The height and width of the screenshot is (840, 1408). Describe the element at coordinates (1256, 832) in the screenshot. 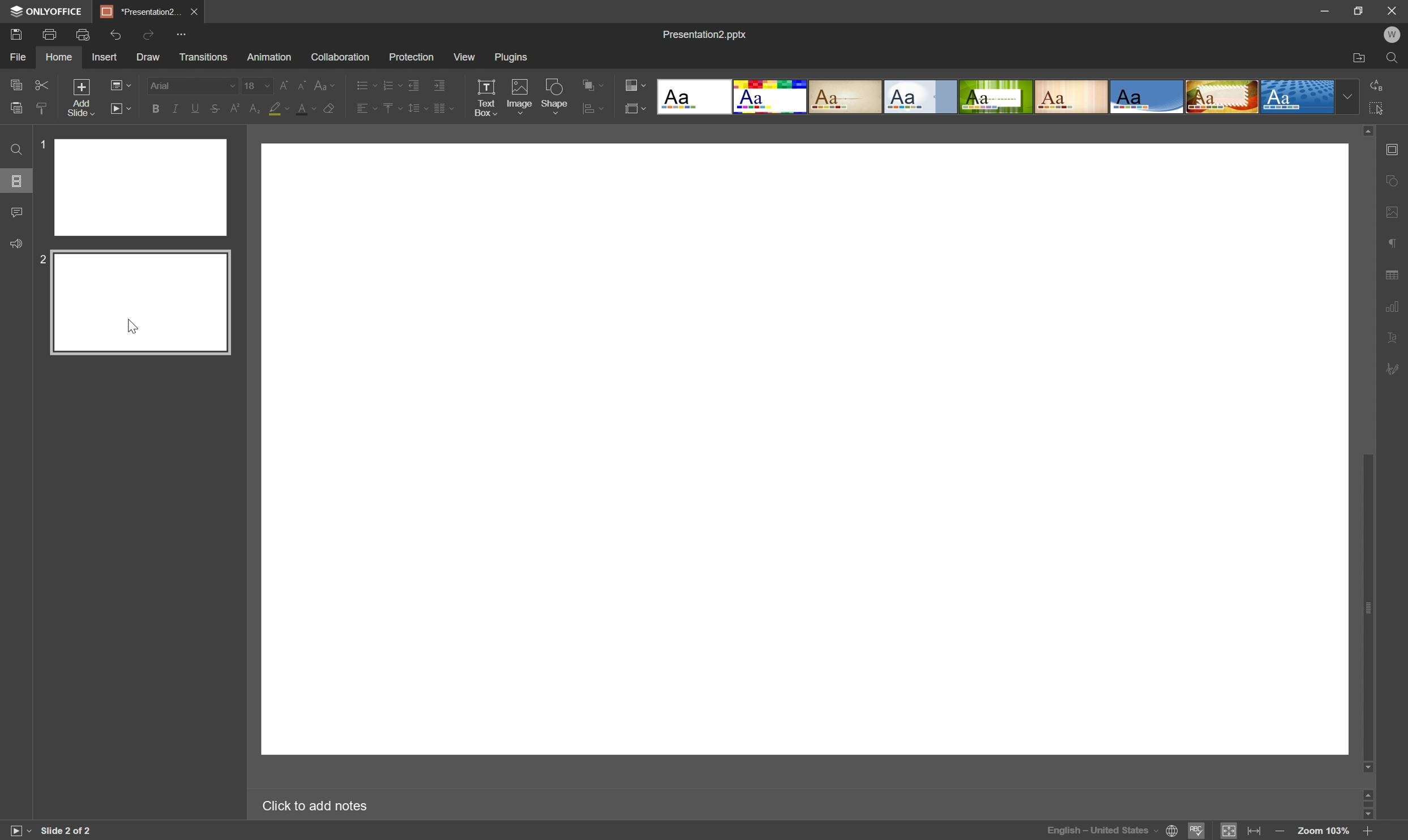

I see `Fit to width` at that location.